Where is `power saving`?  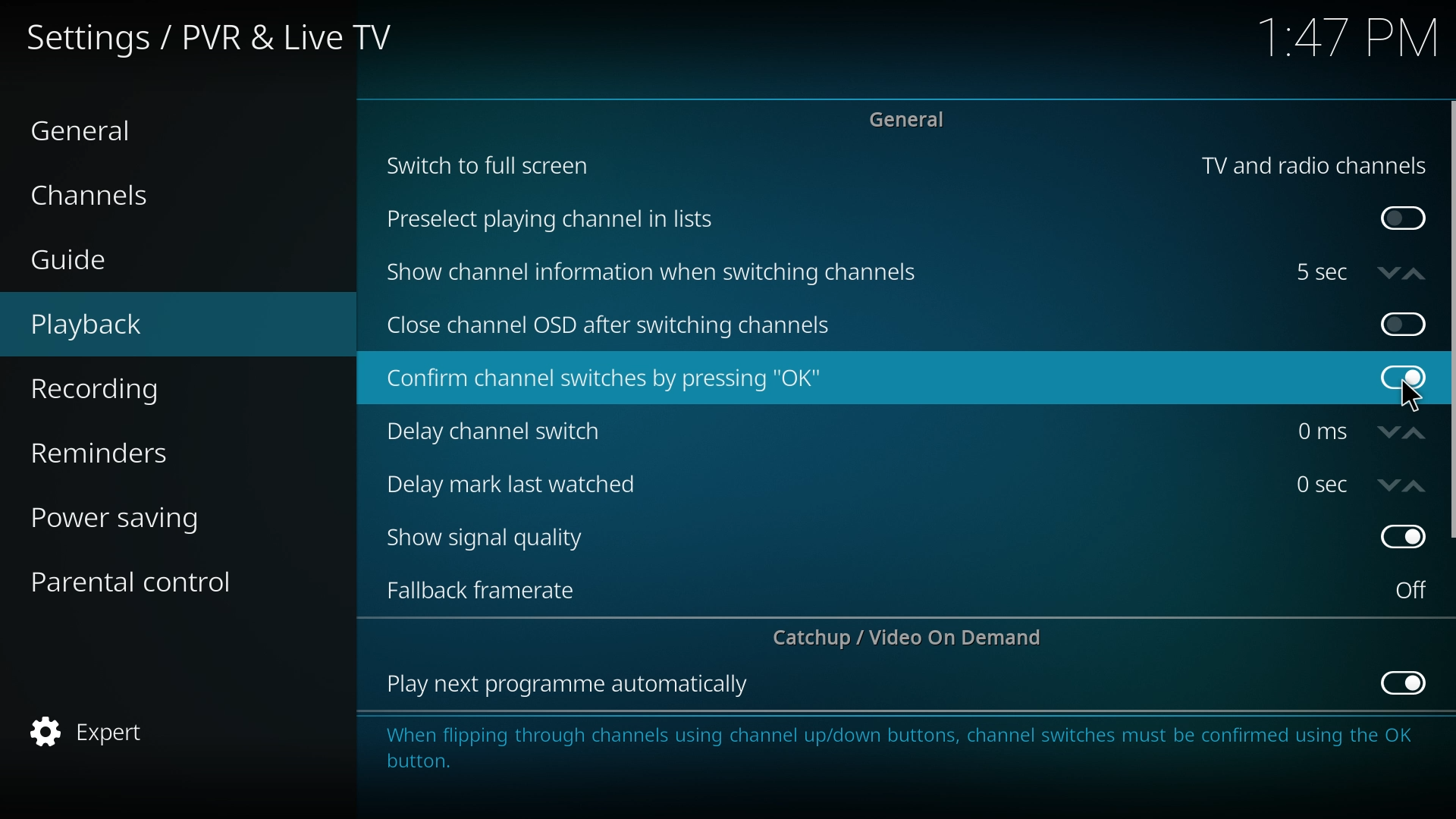 power saving is located at coordinates (140, 516).